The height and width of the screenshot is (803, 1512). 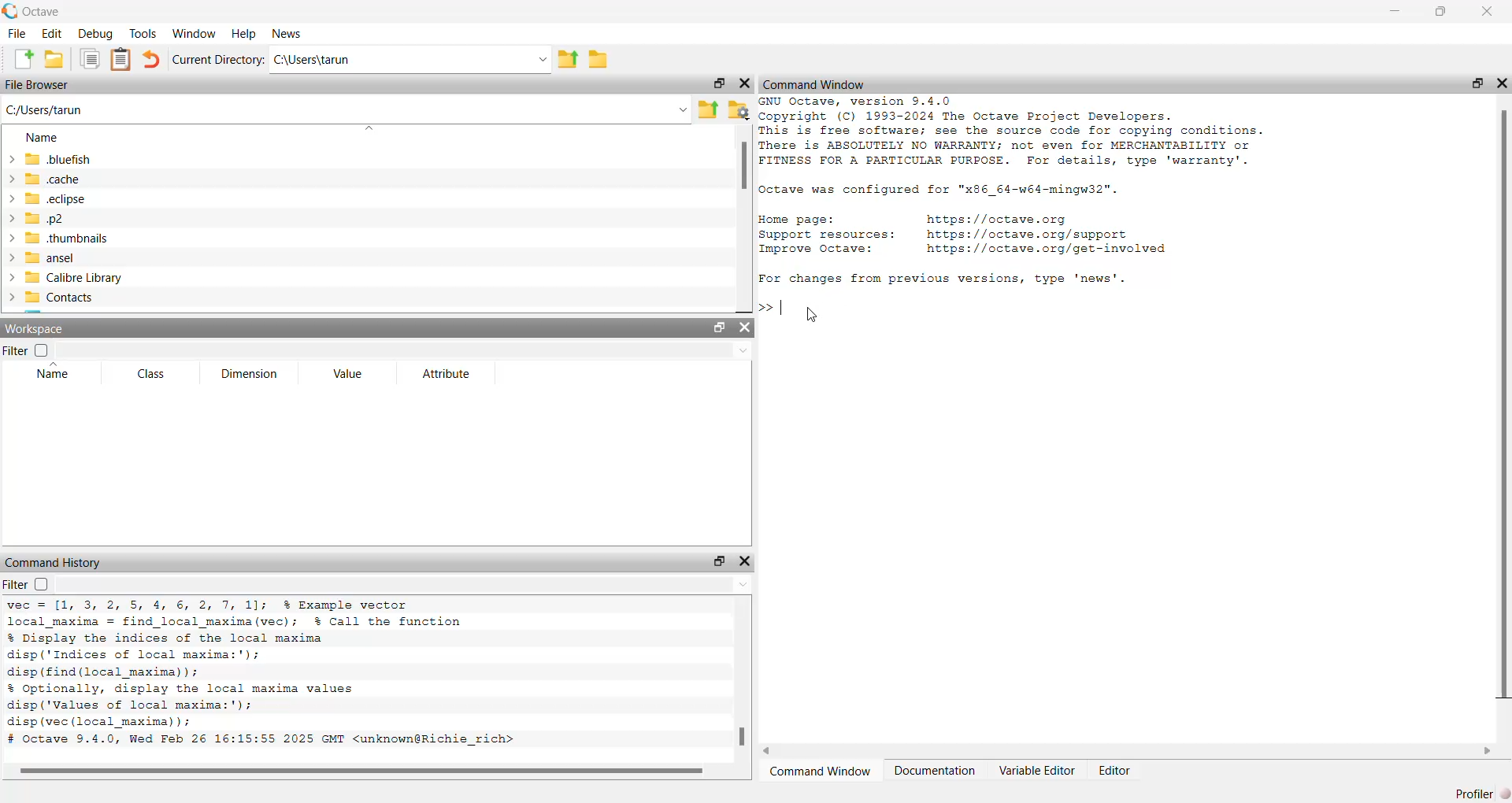 I want to click on New script, so click(x=21, y=58).